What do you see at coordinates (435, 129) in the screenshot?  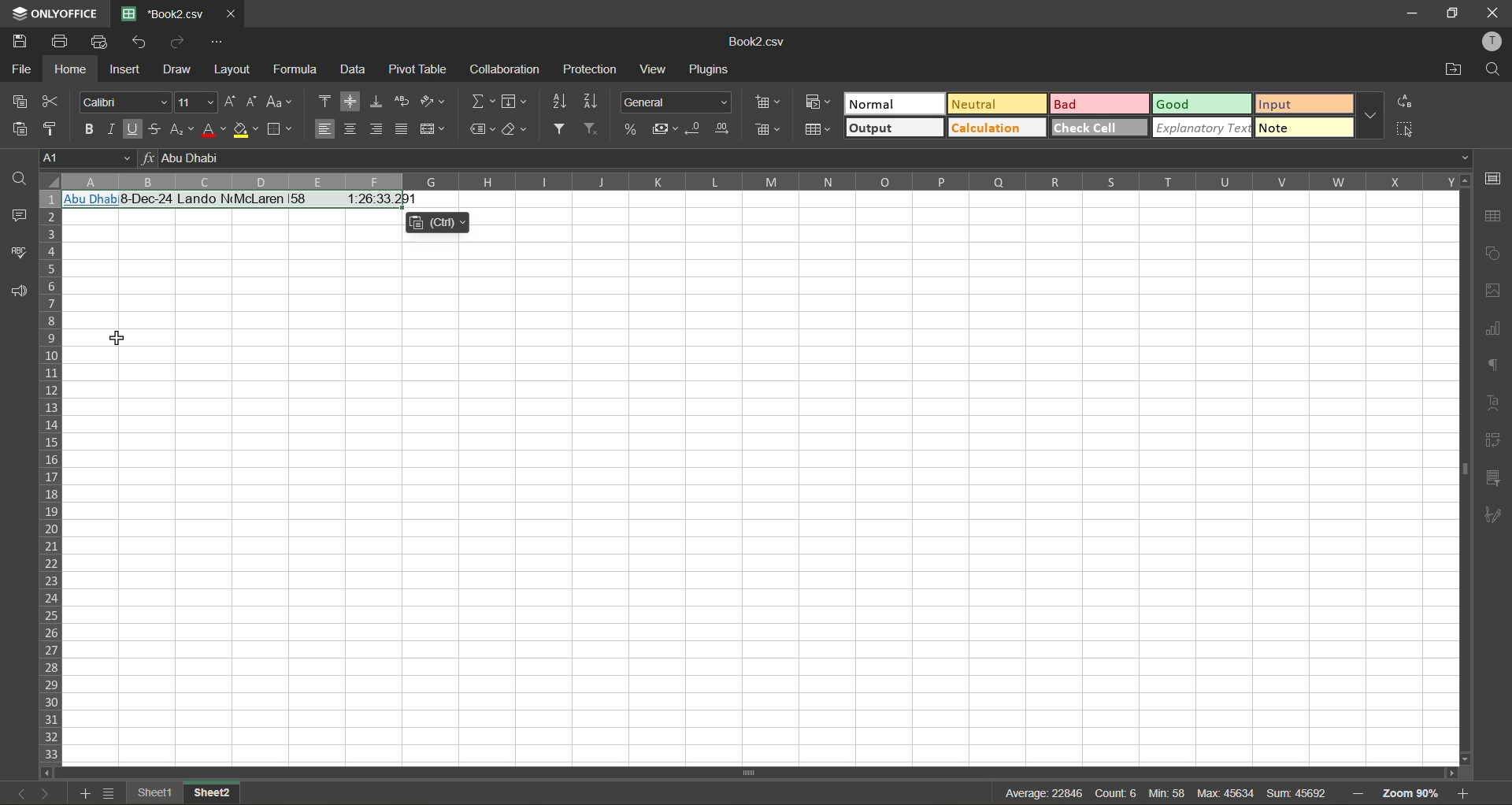 I see `merge and center` at bounding box center [435, 129].